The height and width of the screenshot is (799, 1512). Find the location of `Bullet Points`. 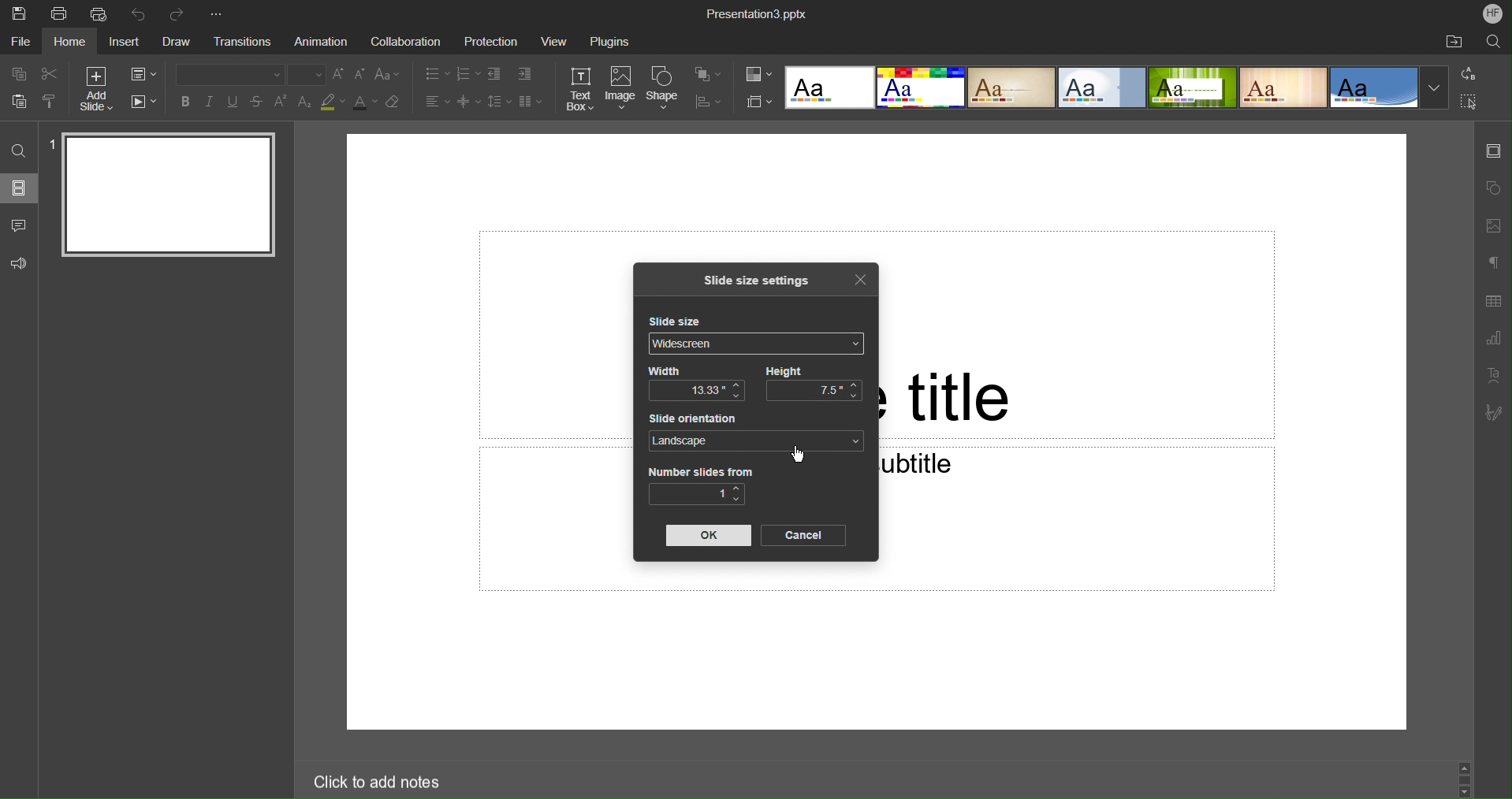

Bullet Points is located at coordinates (435, 73).